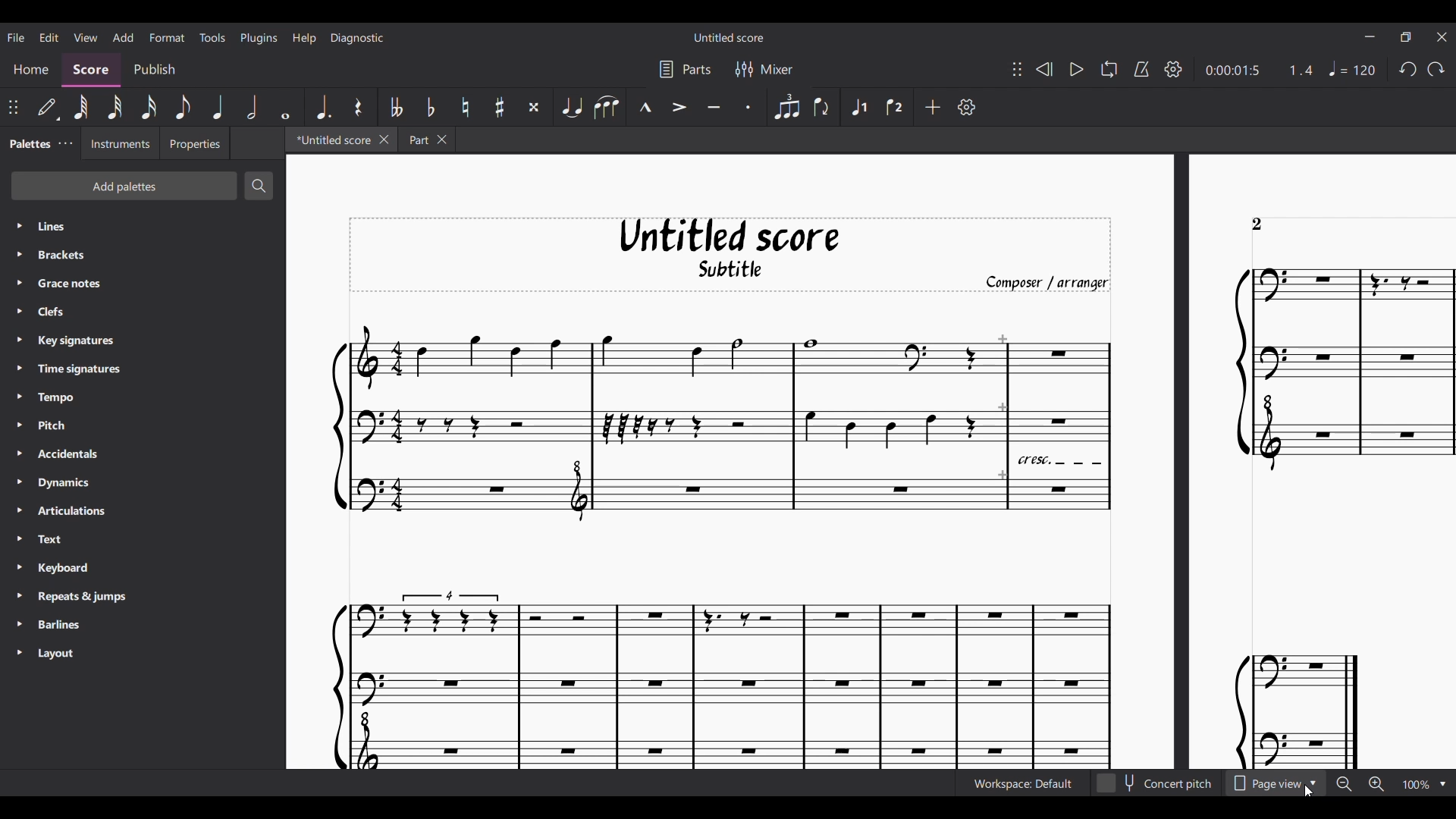  I want to click on Show interface in a smaller tab , so click(1406, 37).